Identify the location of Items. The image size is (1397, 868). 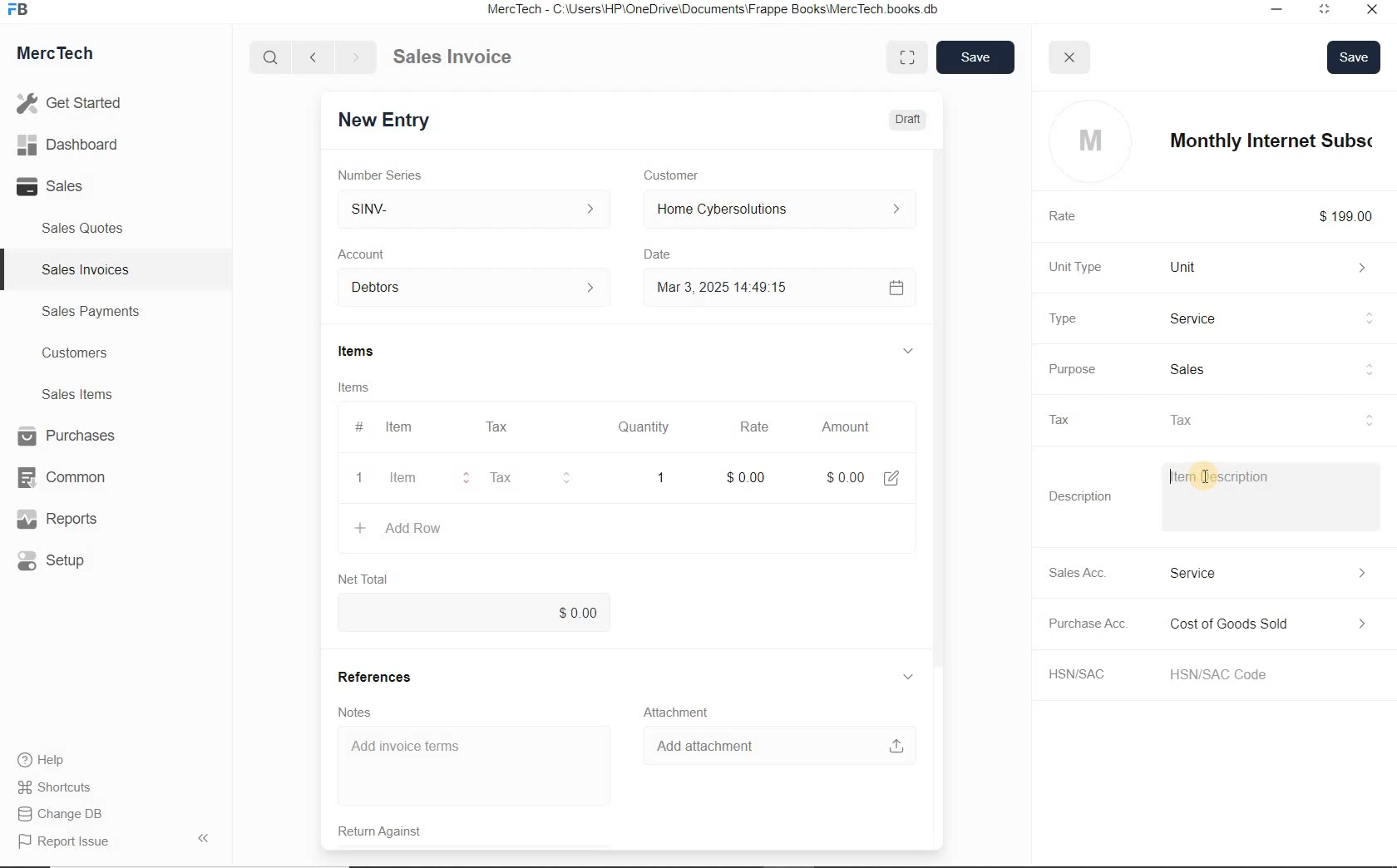
(363, 387).